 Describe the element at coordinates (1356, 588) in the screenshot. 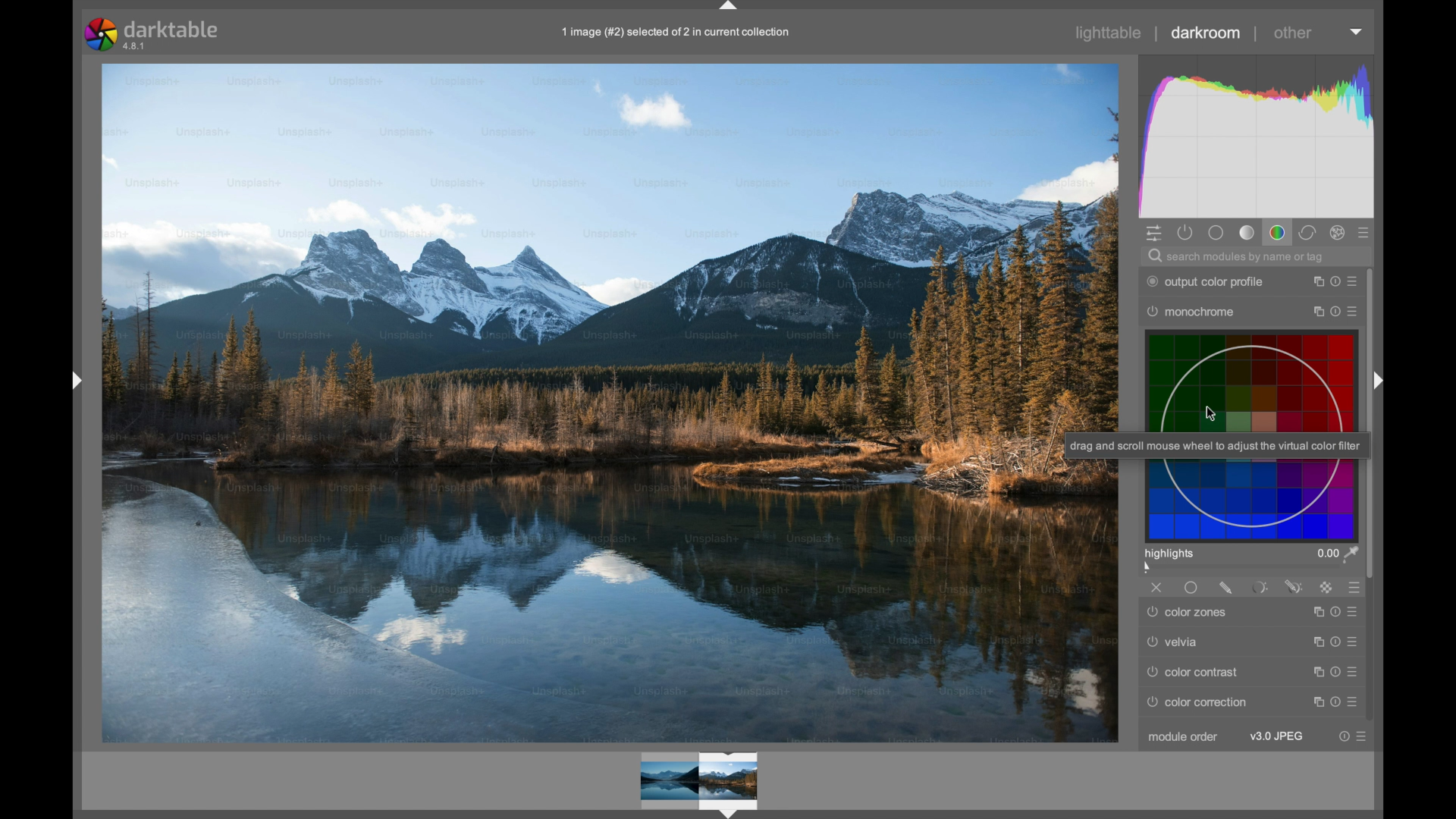

I see `blending options` at that location.